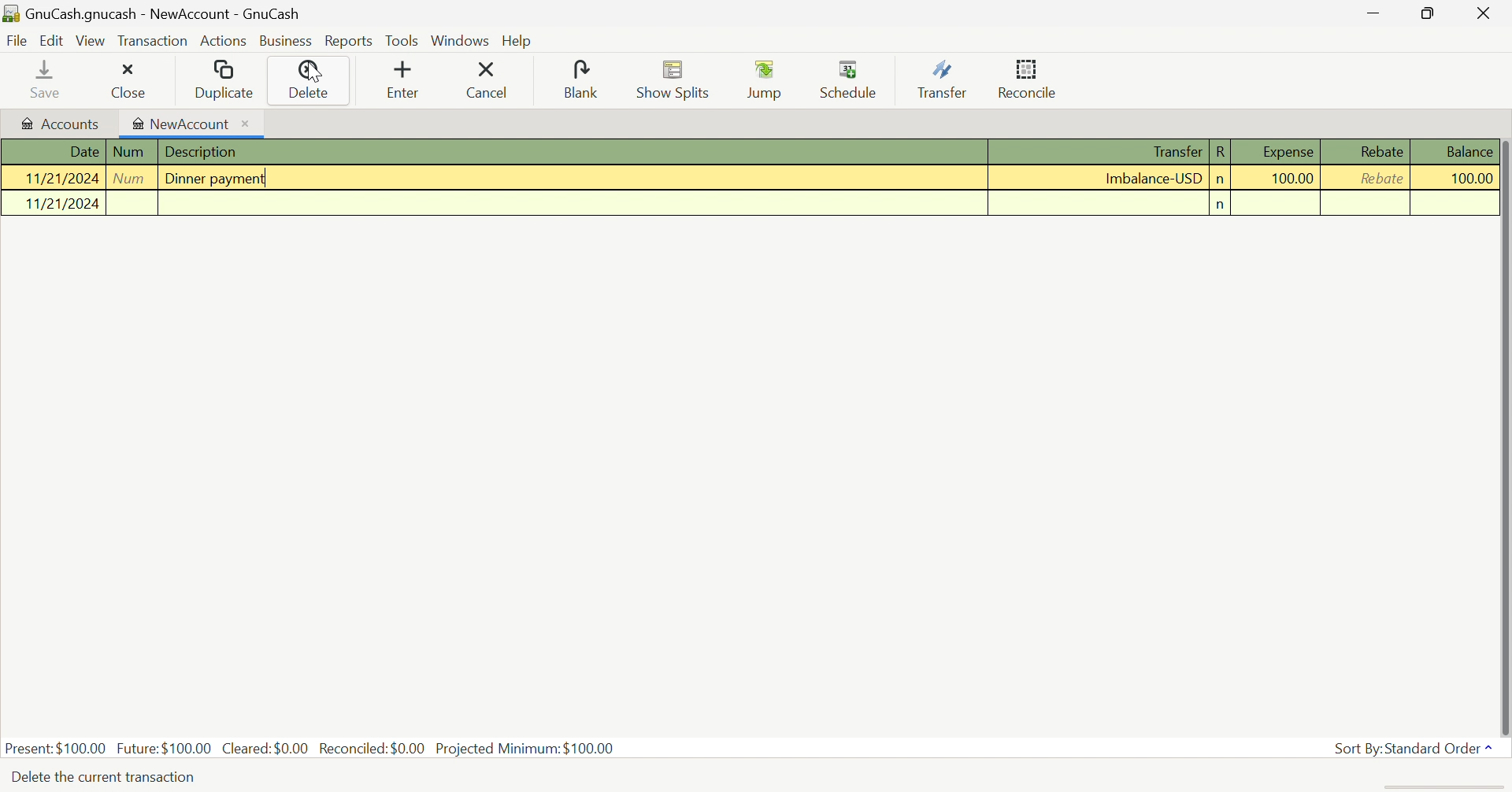  I want to click on Windows, so click(461, 40).